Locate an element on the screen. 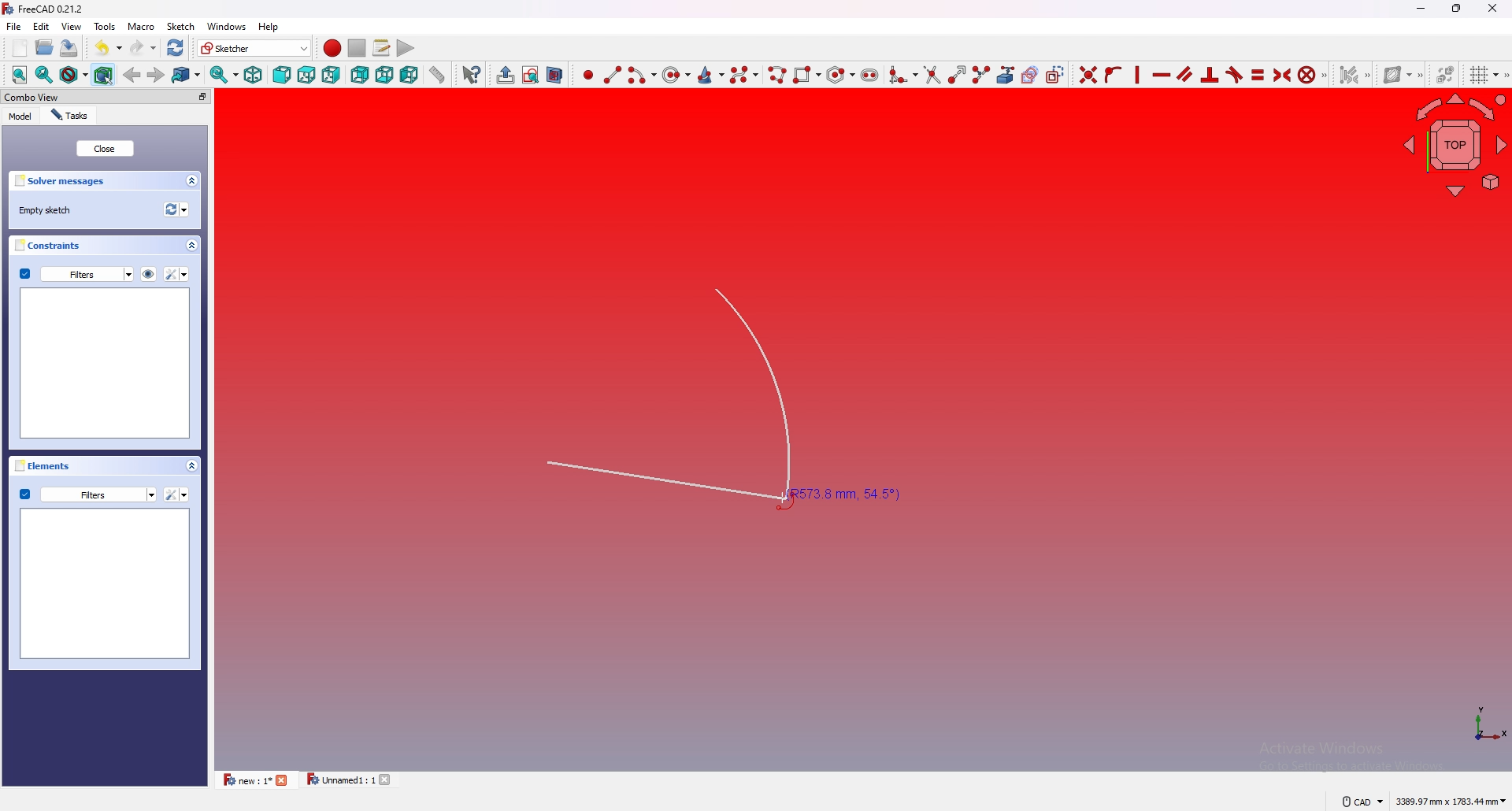 The width and height of the screenshot is (1512, 811). filters is located at coordinates (87, 494).